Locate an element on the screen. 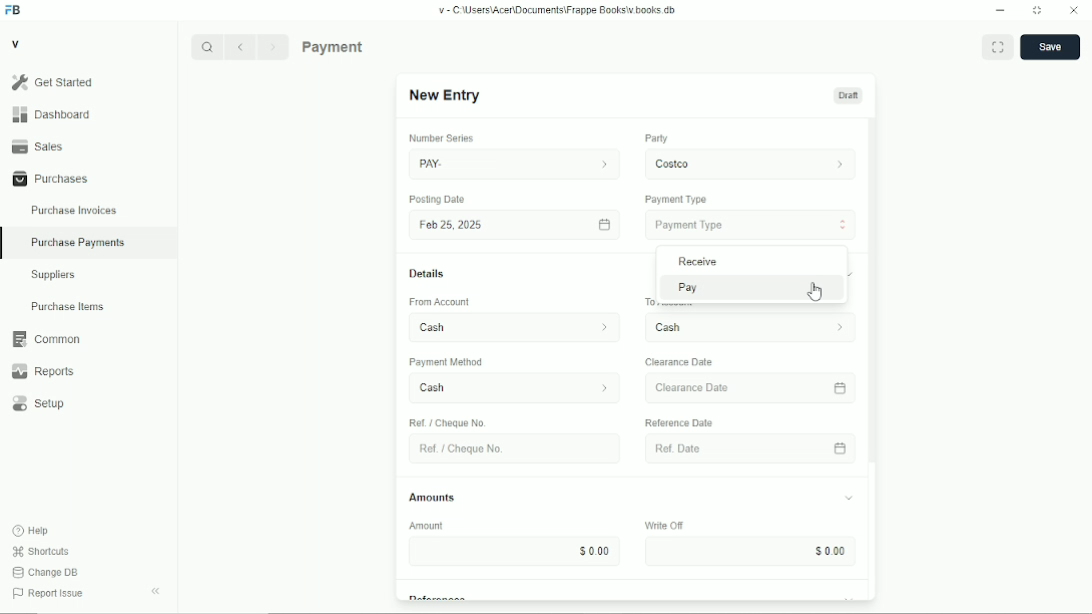 The image size is (1092, 614). Purchase Items is located at coordinates (88, 306).